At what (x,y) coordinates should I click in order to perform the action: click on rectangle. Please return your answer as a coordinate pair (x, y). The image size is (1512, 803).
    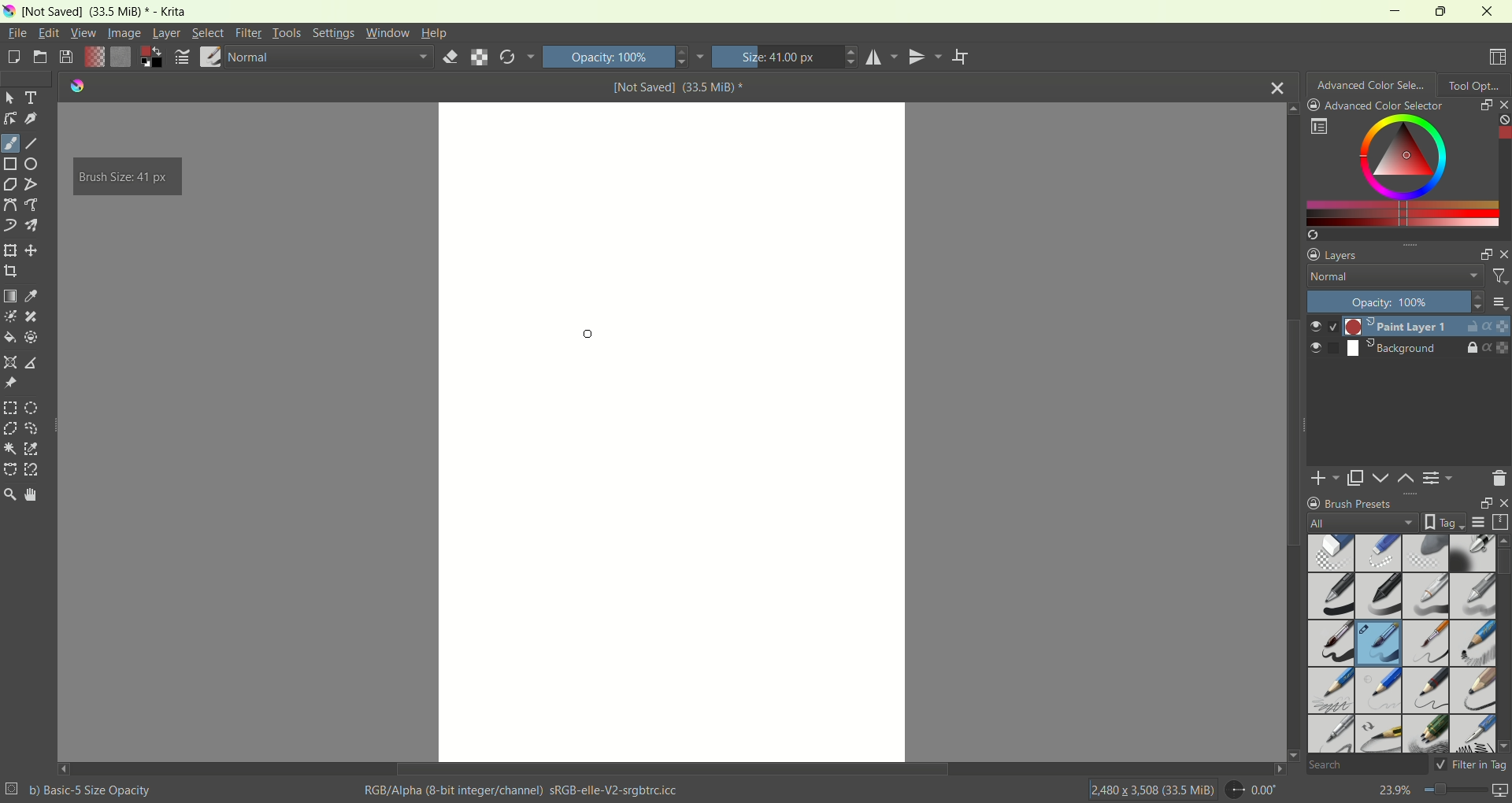
    Looking at the image, I should click on (11, 165).